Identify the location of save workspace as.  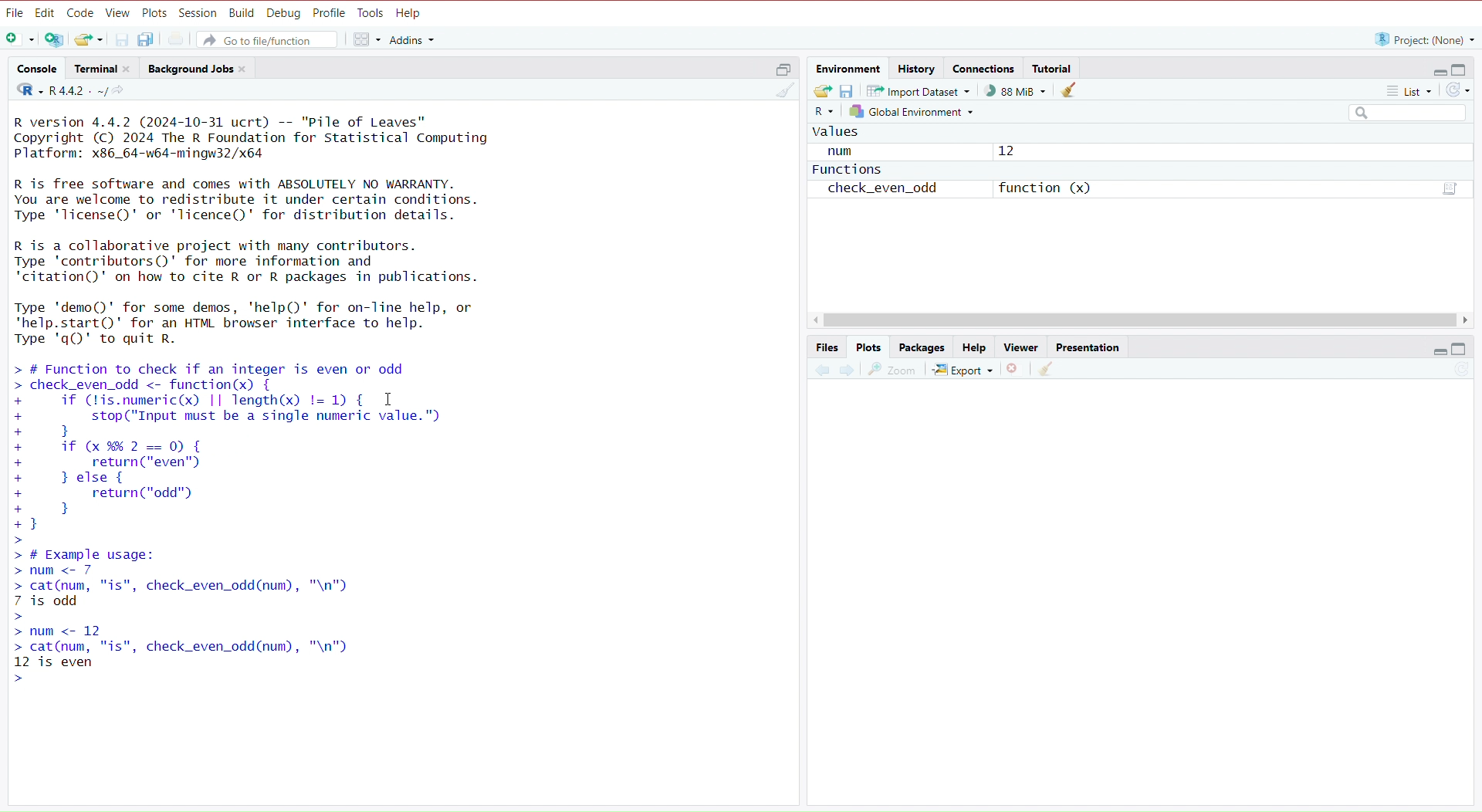
(851, 92).